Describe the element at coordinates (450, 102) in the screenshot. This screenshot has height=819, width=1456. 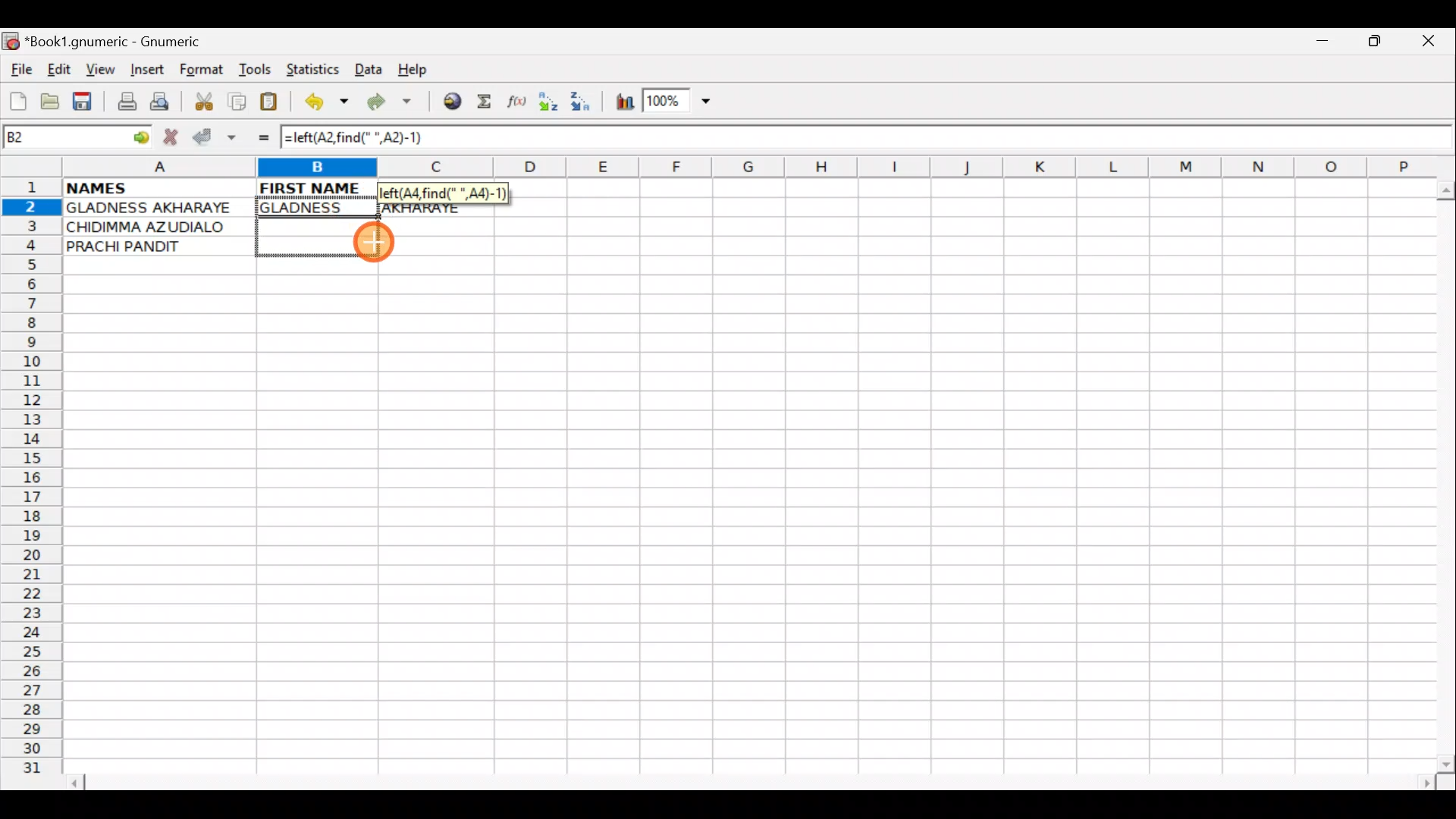
I see `Insert hyperlink` at that location.